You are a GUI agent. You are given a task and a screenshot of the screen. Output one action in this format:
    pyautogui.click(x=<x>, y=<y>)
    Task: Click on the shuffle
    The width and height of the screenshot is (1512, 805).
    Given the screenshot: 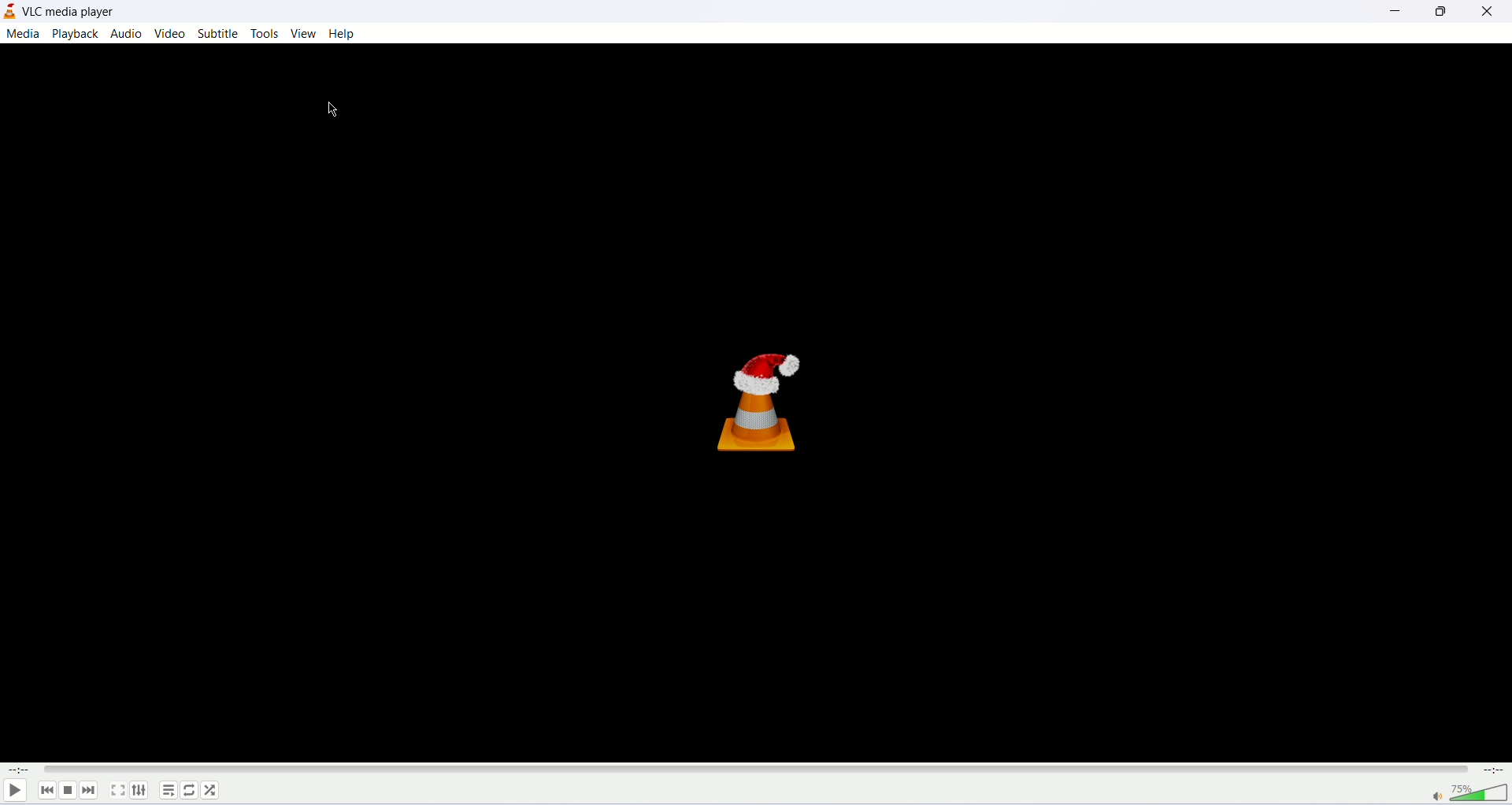 What is the action you would take?
    pyautogui.click(x=212, y=791)
    